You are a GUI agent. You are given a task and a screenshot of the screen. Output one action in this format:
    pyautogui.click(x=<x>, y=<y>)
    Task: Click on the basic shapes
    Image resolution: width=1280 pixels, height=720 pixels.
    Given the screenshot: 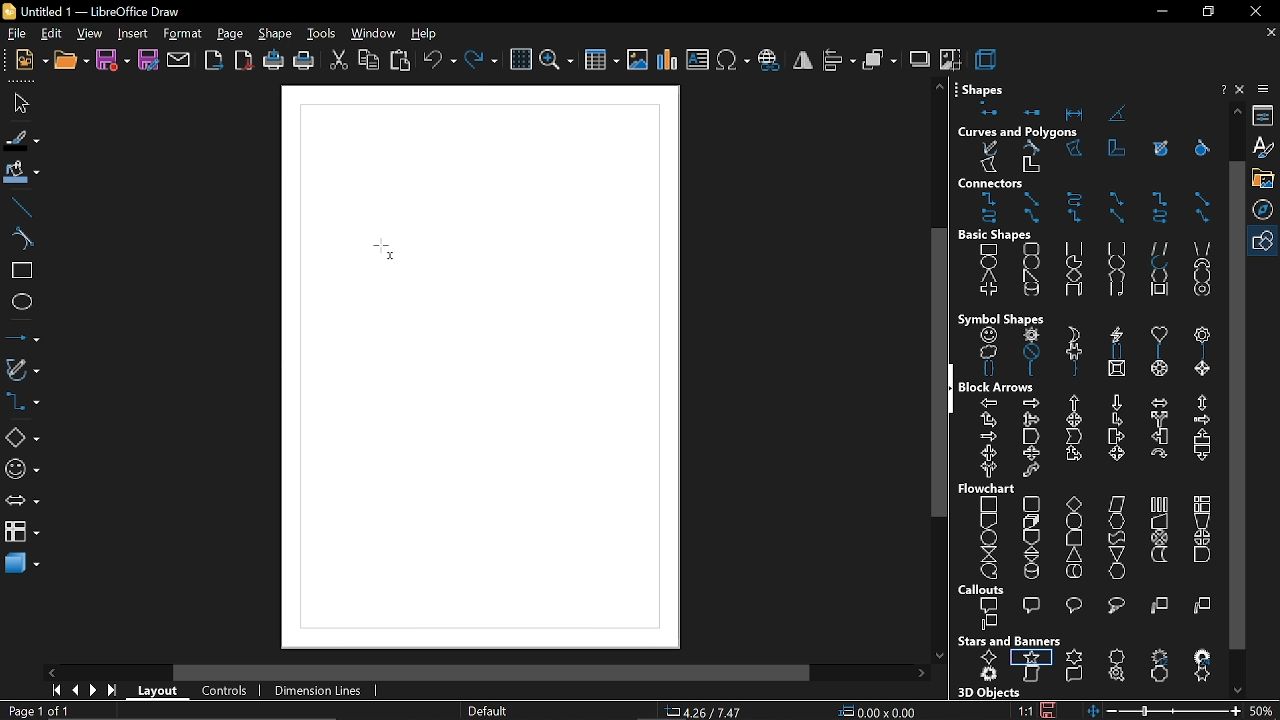 What is the action you would take?
    pyautogui.click(x=1266, y=241)
    